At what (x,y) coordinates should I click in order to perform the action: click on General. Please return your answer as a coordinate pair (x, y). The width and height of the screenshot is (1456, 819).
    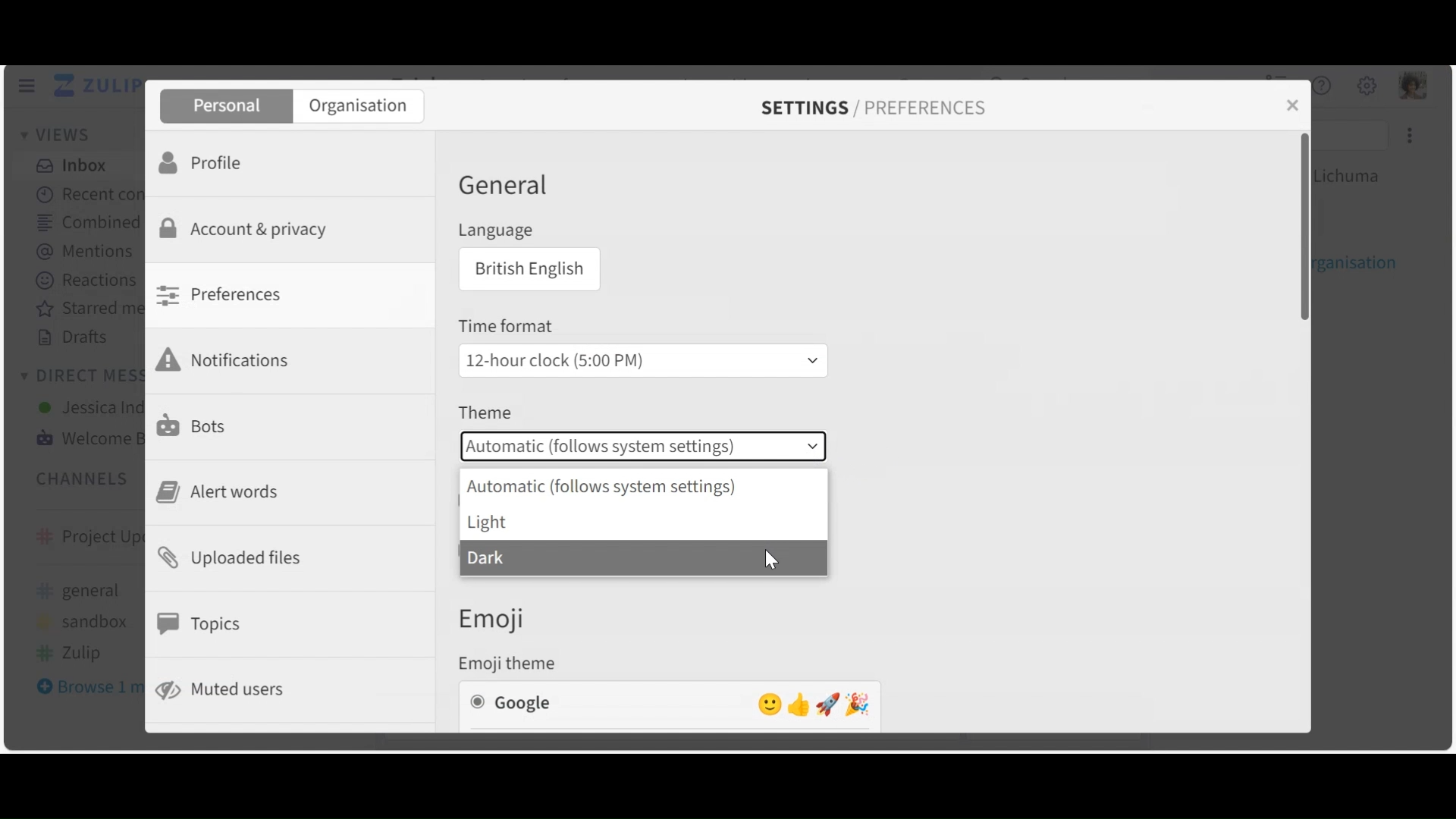
    Looking at the image, I should click on (503, 188).